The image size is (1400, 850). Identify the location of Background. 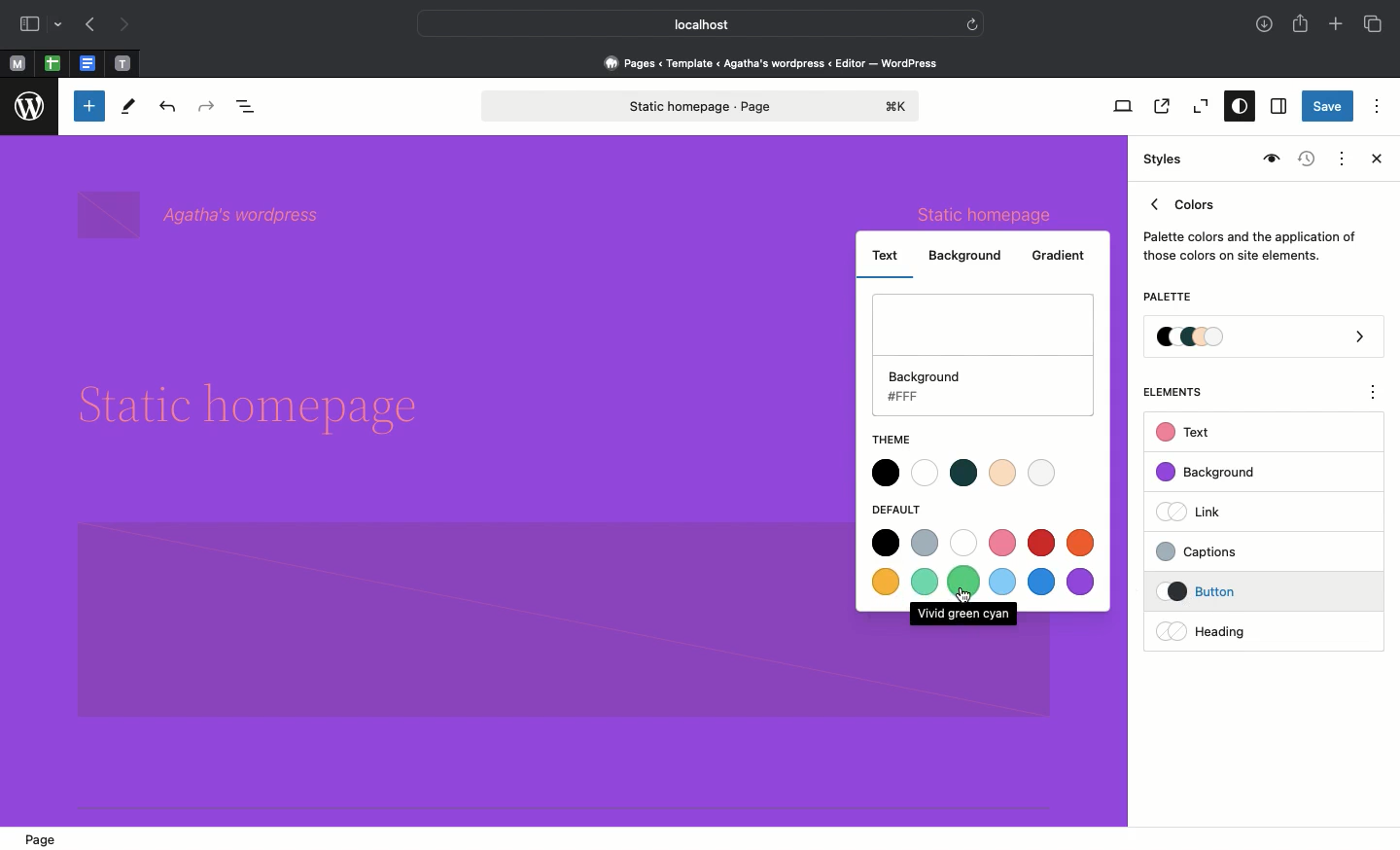
(1215, 473).